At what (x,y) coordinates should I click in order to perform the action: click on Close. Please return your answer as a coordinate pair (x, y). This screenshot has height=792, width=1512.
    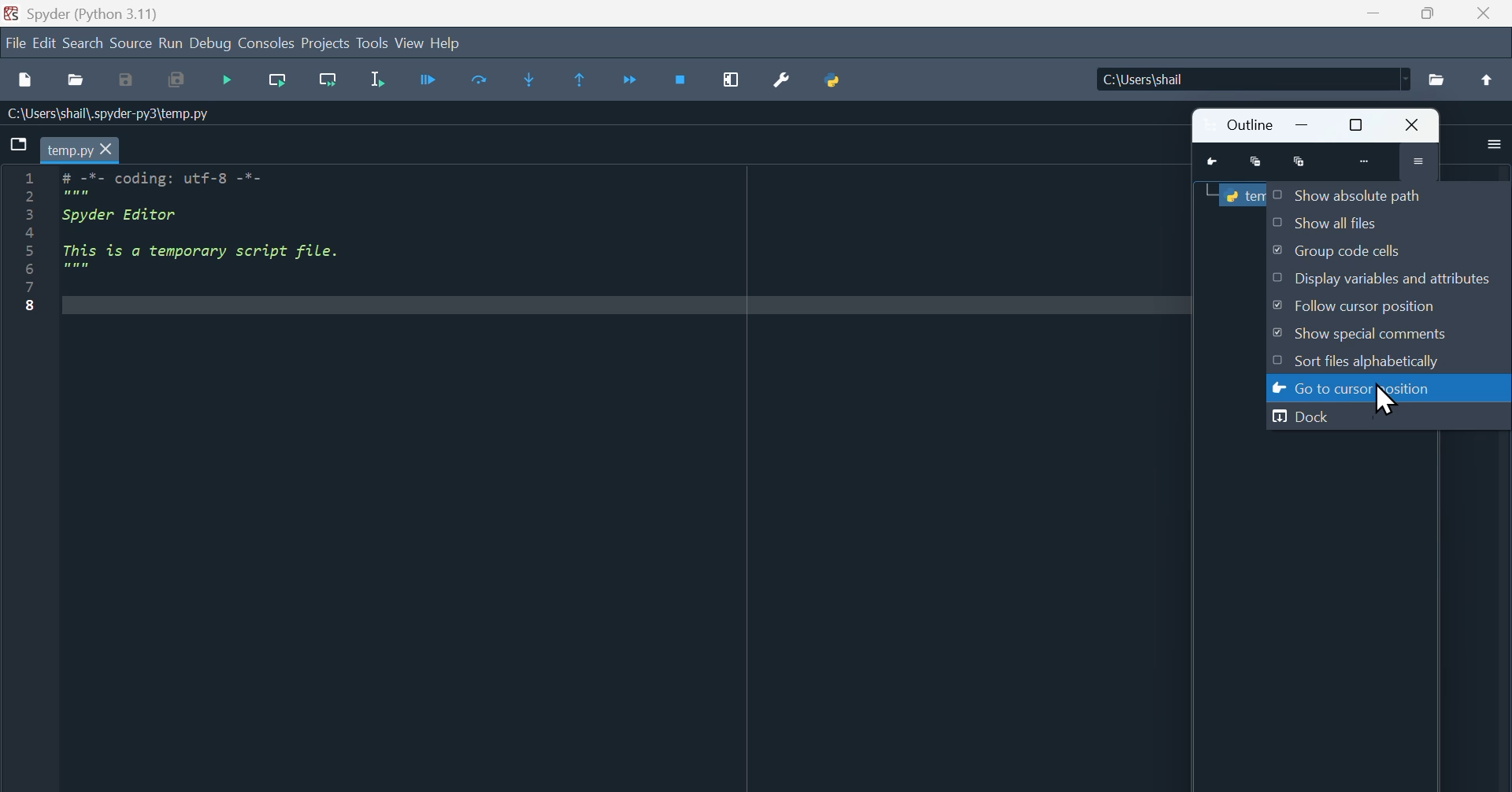
    Looking at the image, I should click on (1416, 124).